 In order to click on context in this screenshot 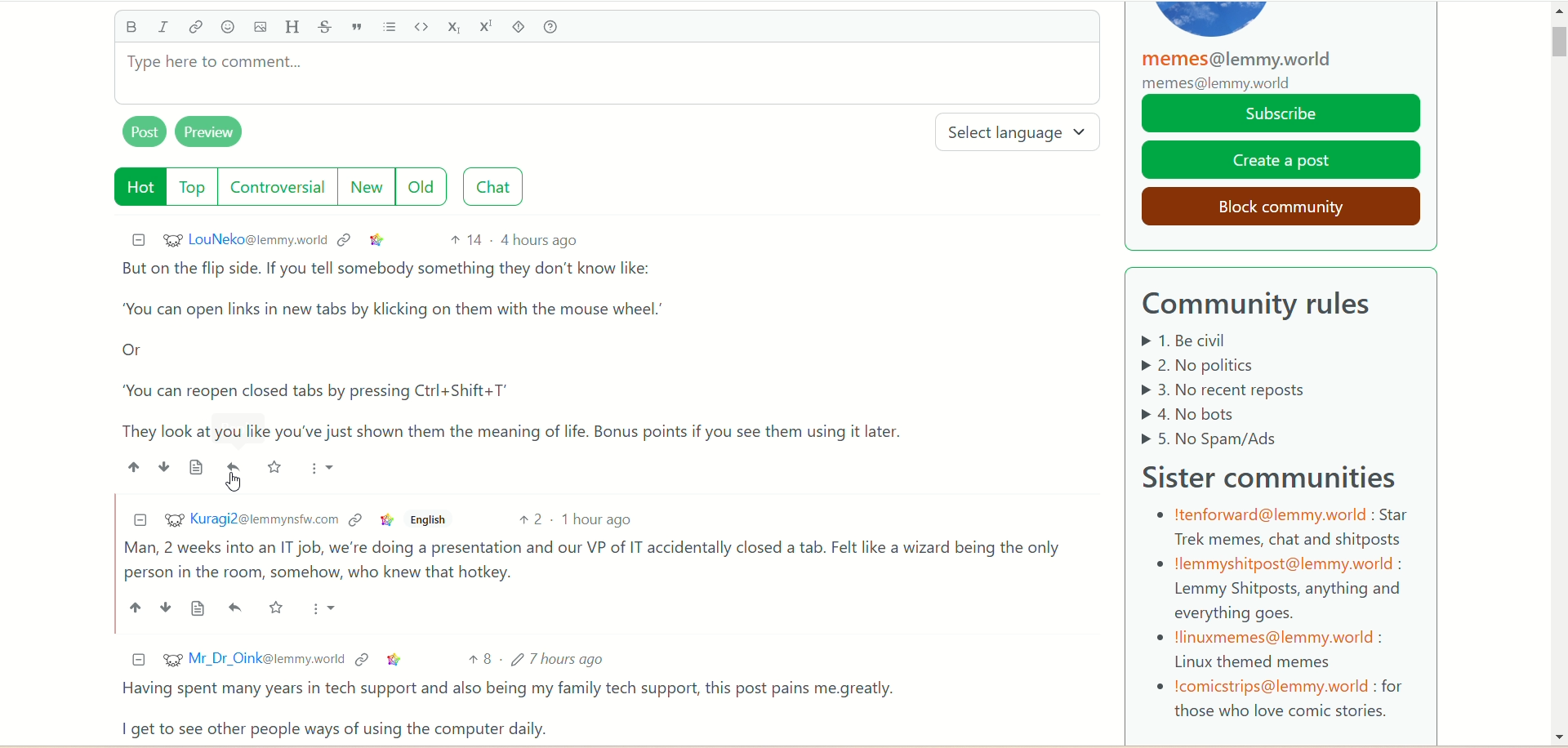, I will do `click(362, 659)`.